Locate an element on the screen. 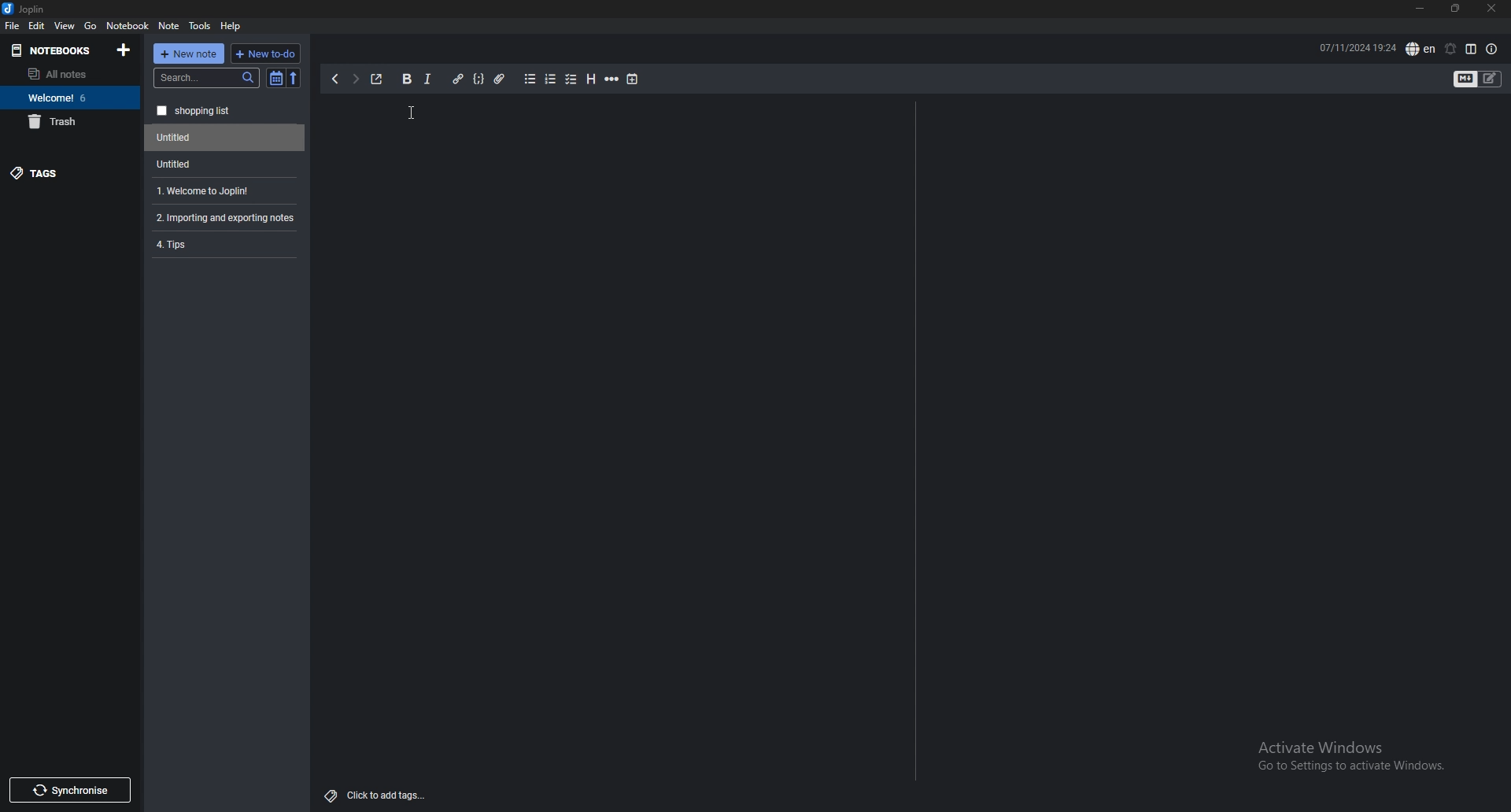 The width and height of the screenshot is (1511, 812). all notes is located at coordinates (67, 74).